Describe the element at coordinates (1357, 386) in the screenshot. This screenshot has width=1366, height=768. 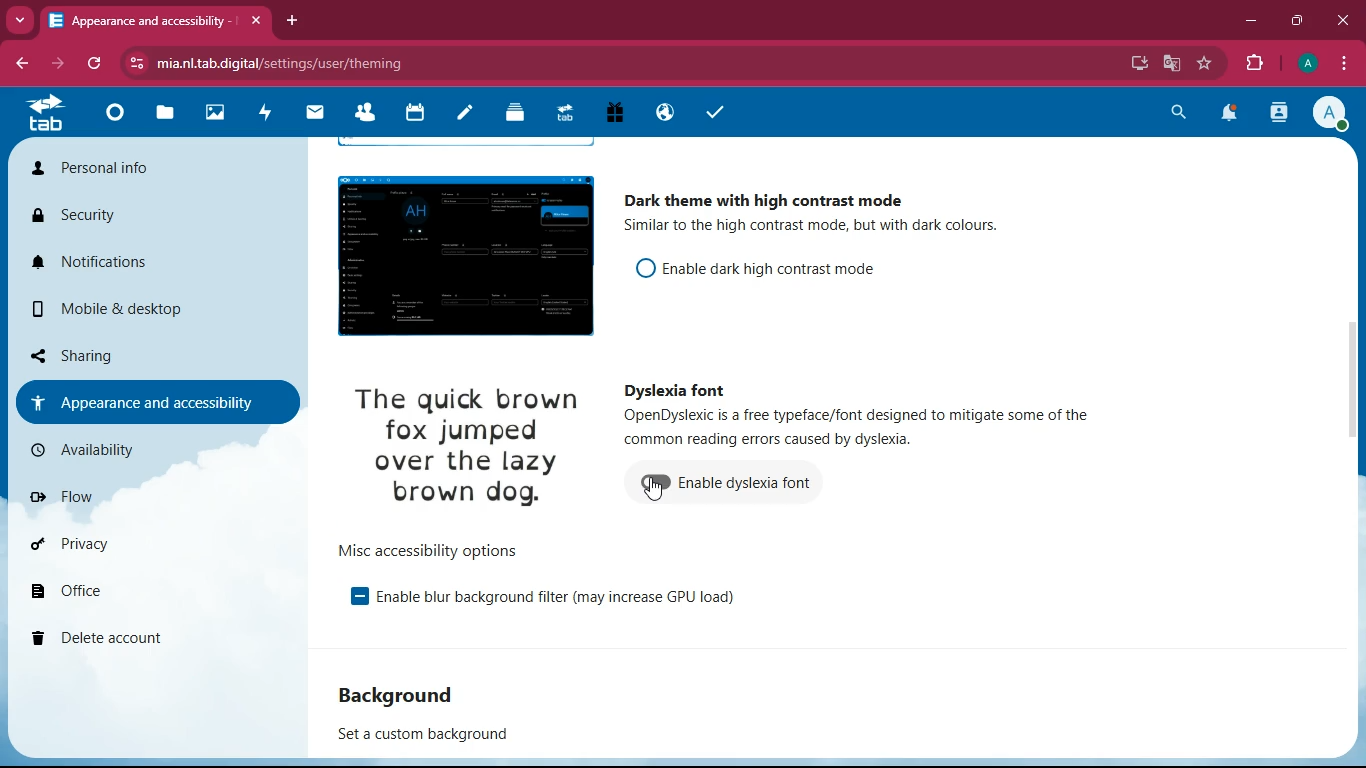
I see `scroll bar` at that location.